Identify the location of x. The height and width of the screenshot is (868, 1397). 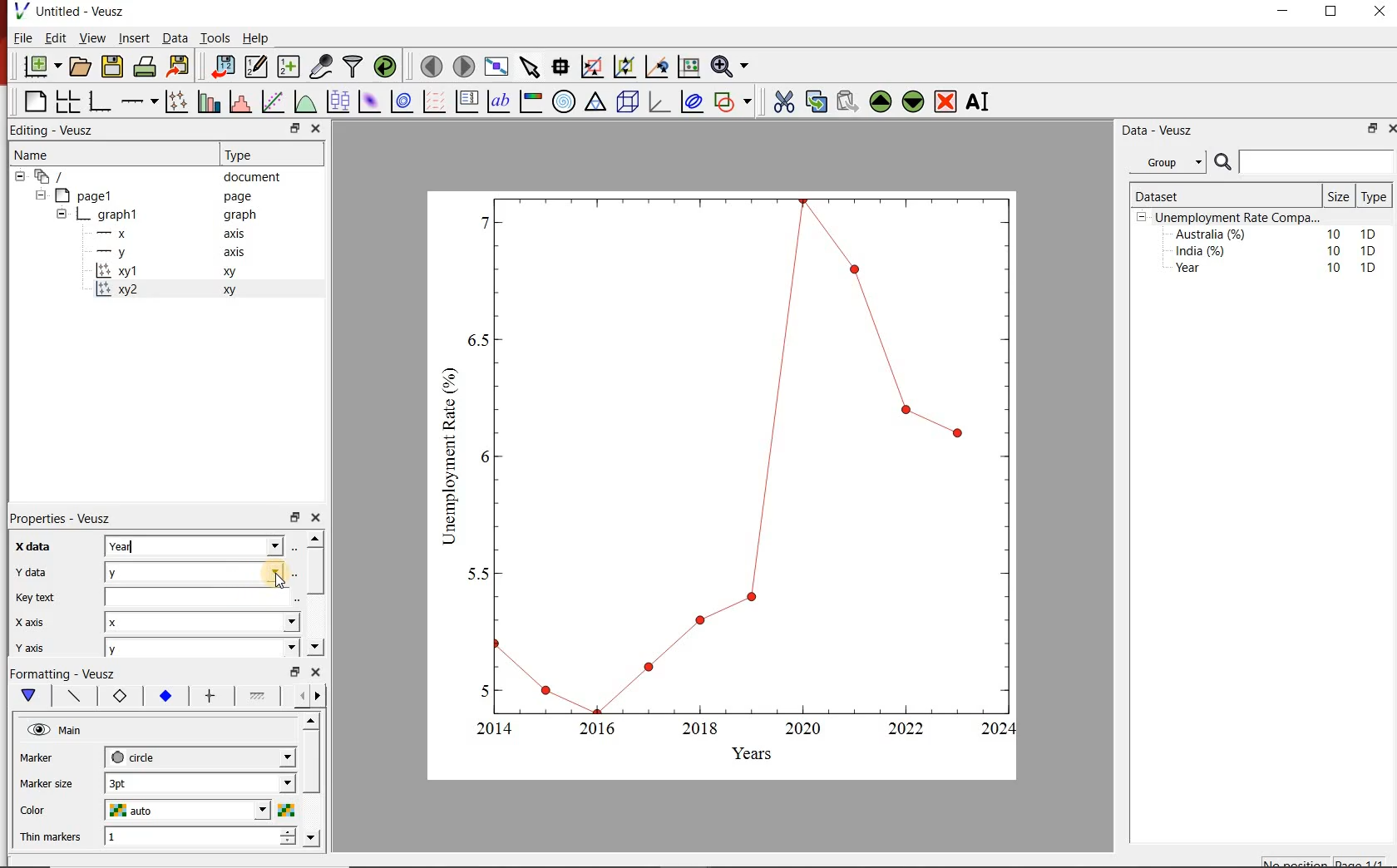
(200, 622).